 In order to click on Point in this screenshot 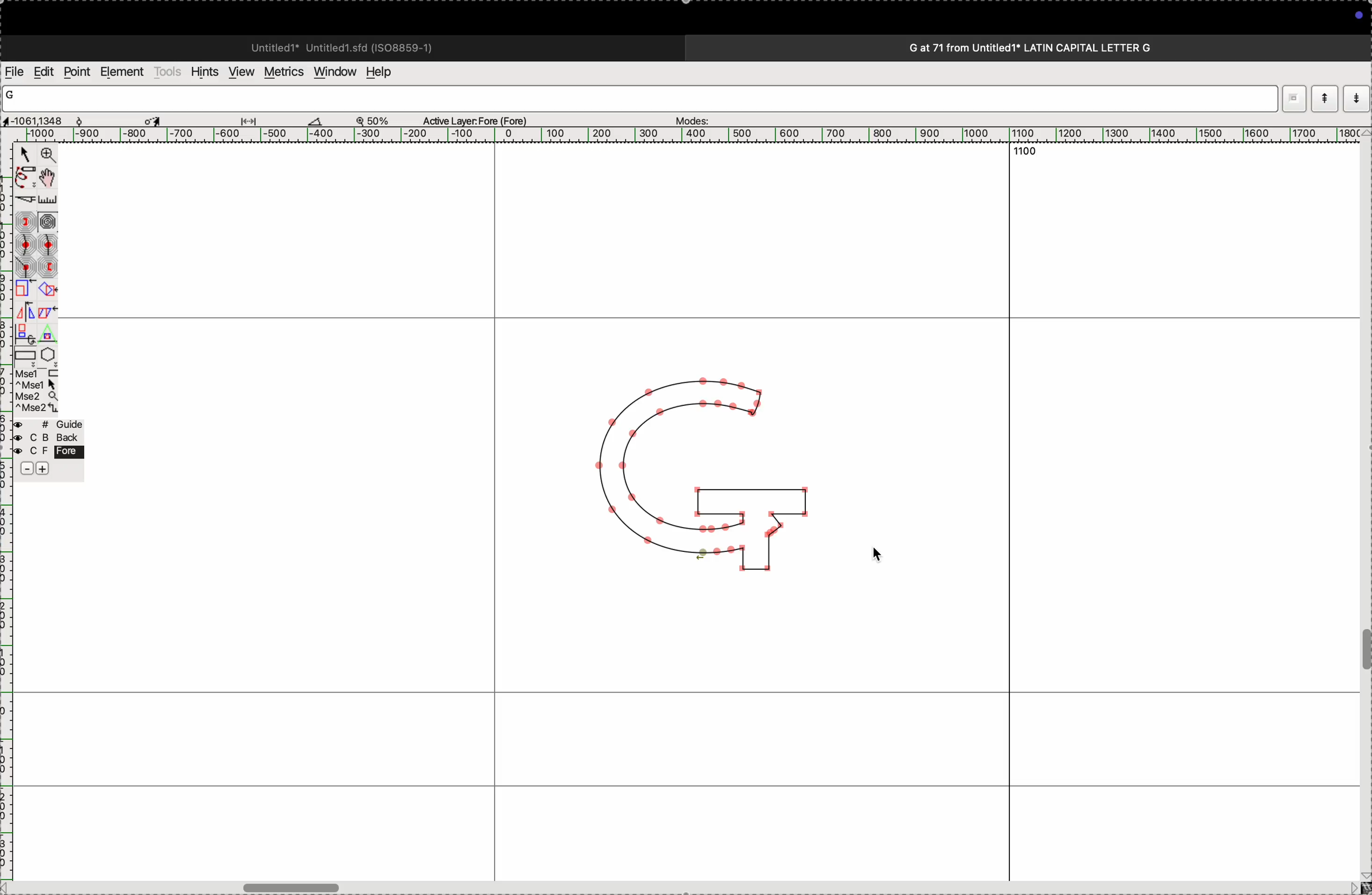, I will do `click(25, 155)`.